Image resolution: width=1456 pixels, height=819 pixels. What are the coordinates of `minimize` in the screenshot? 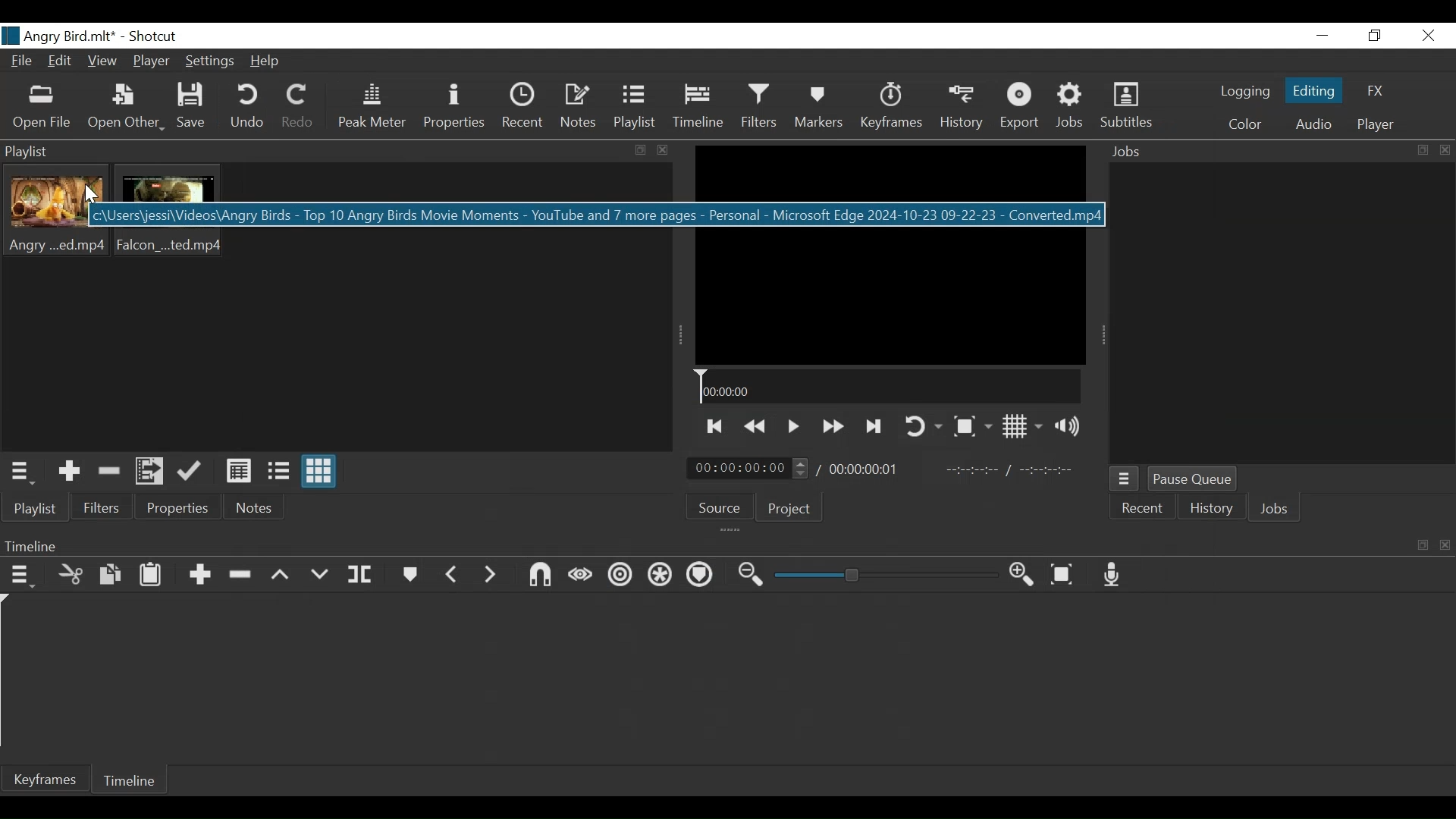 It's located at (1325, 35).